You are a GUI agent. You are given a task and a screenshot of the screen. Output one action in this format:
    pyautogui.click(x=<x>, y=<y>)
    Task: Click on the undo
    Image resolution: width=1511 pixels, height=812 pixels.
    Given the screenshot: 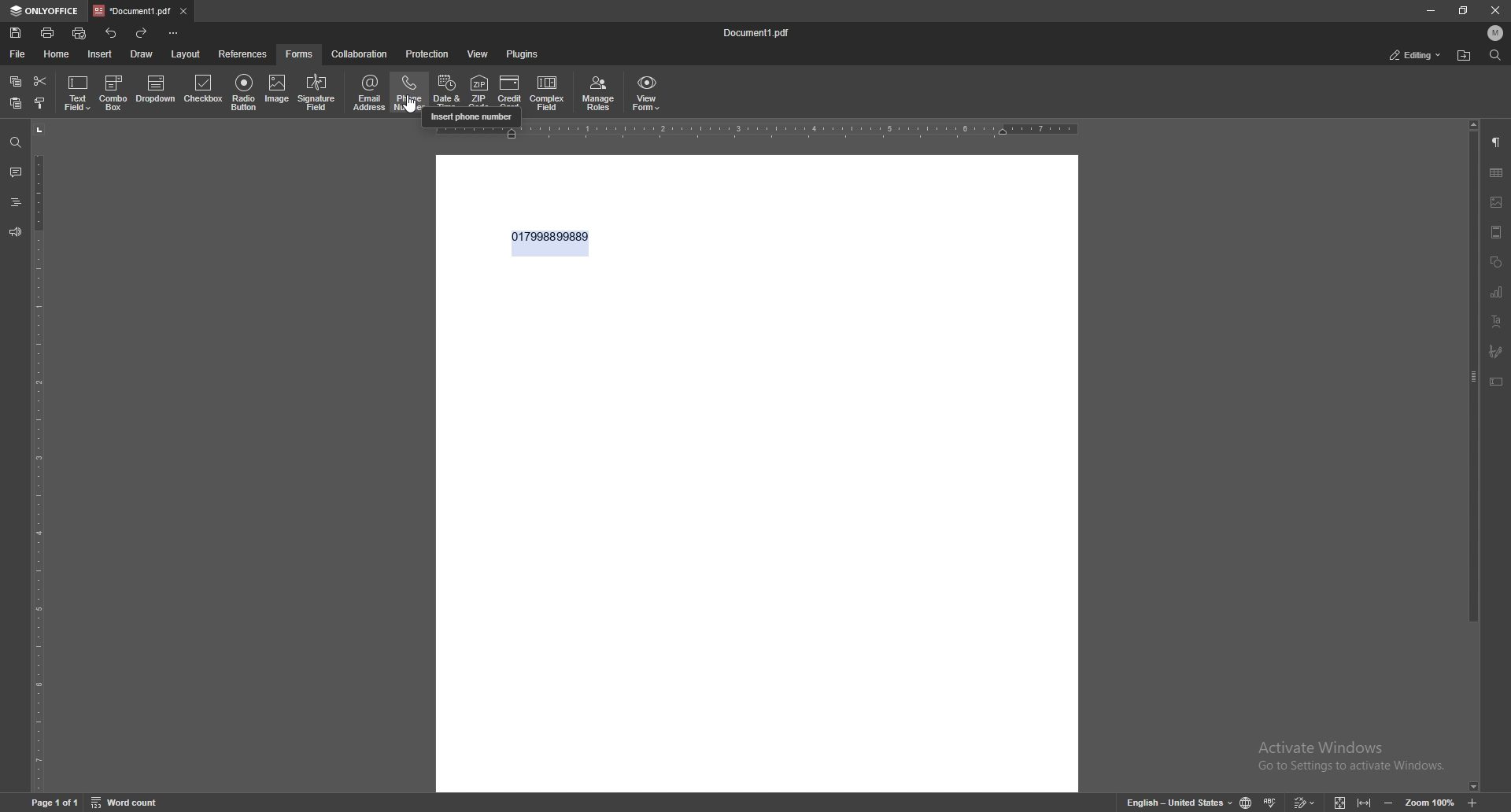 What is the action you would take?
    pyautogui.click(x=112, y=34)
    